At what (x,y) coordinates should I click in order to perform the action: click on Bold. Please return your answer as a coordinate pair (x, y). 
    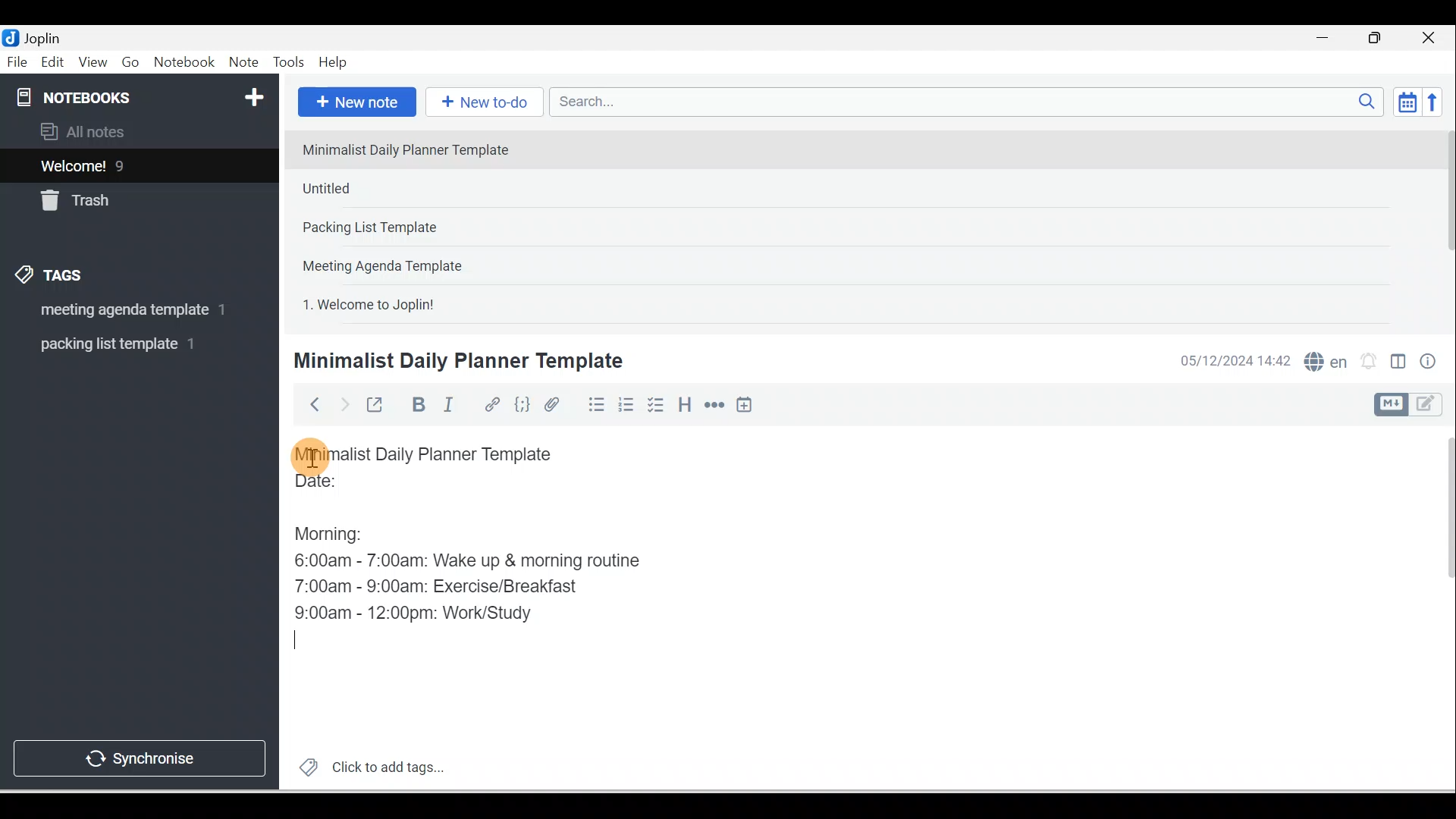
    Looking at the image, I should click on (416, 405).